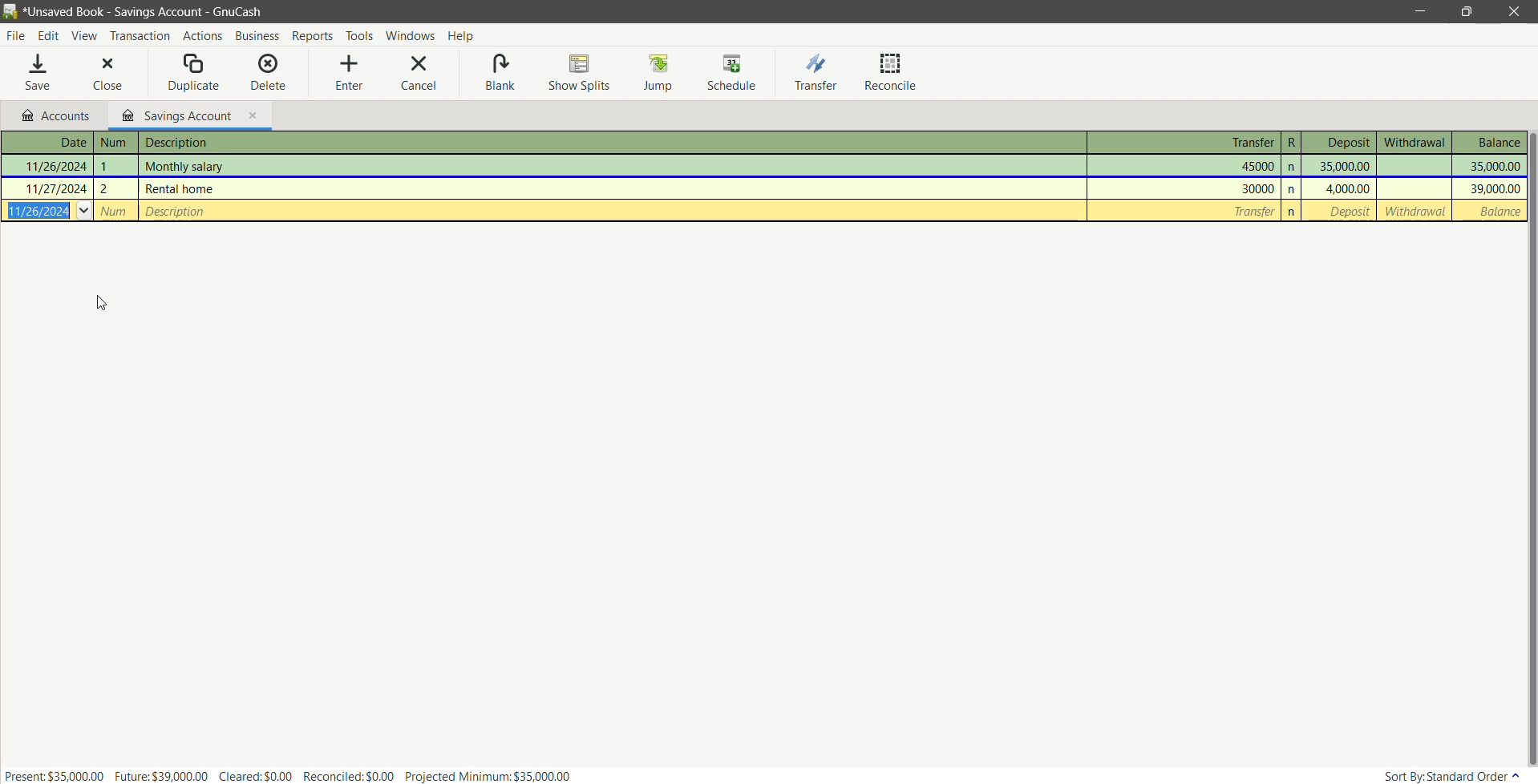  Describe the element at coordinates (359, 34) in the screenshot. I see `Tools` at that location.